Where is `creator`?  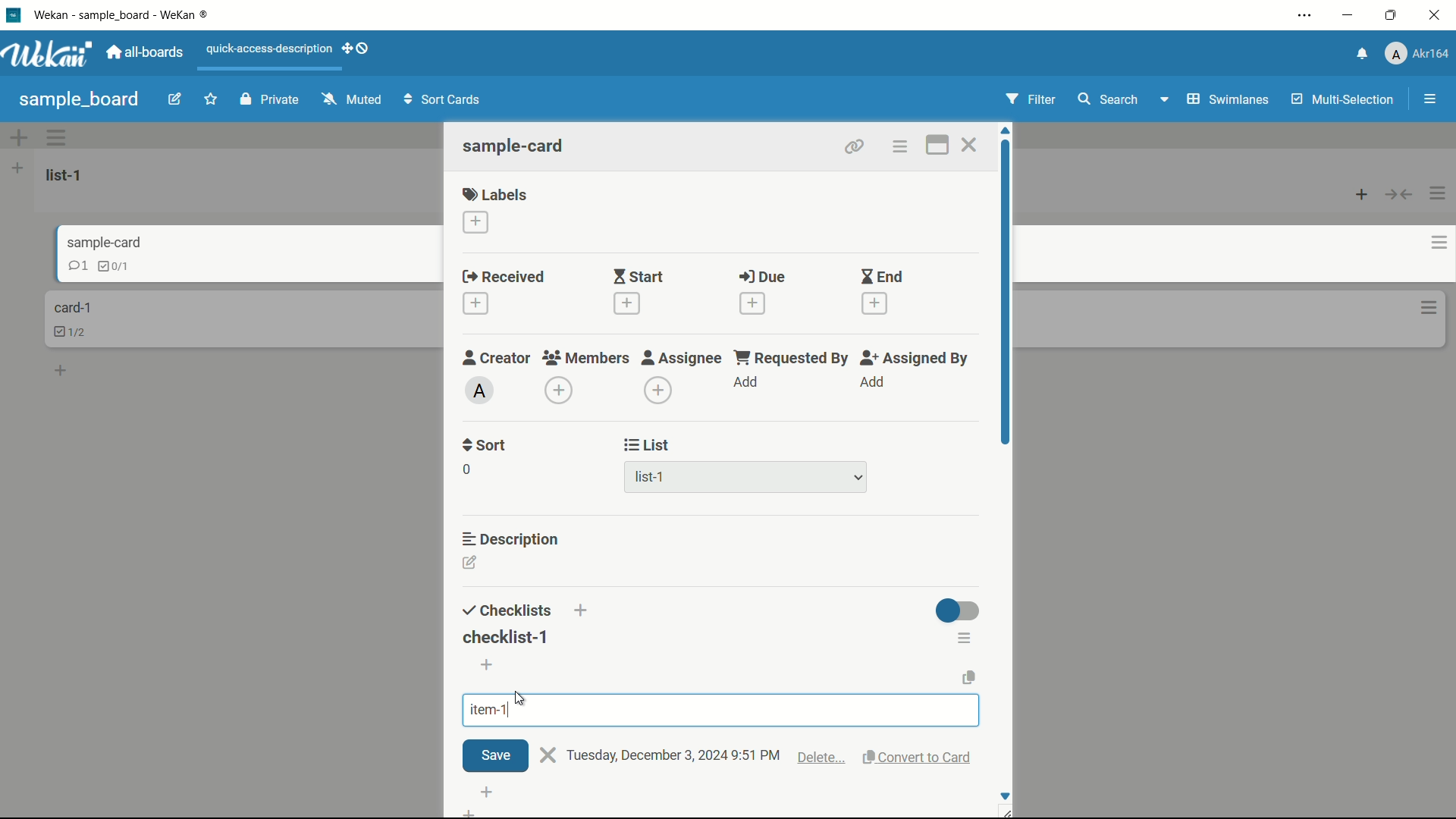
creator is located at coordinates (497, 358).